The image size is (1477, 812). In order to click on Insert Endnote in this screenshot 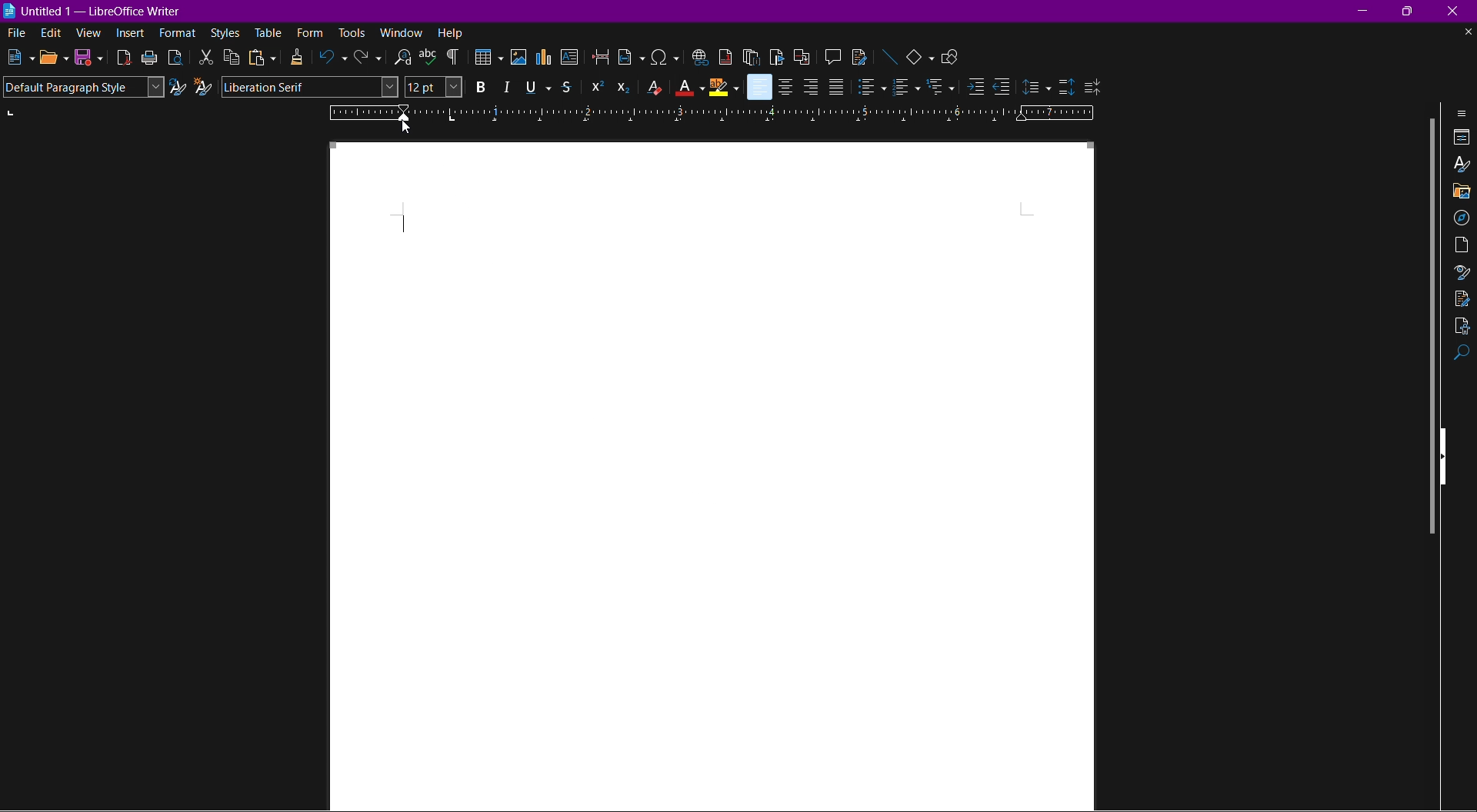, I will do `click(751, 56)`.